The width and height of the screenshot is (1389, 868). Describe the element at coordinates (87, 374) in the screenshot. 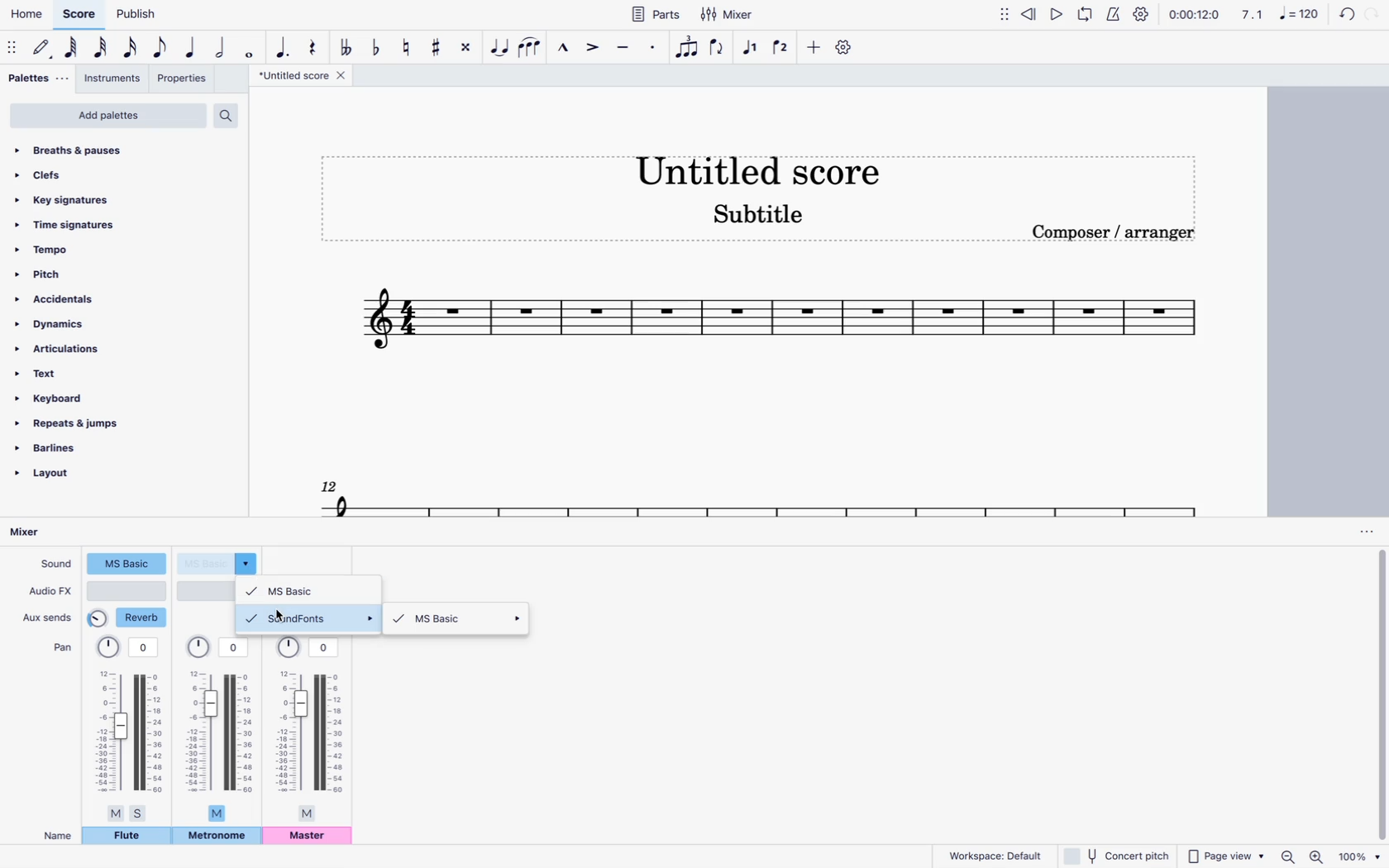

I see `text` at that location.